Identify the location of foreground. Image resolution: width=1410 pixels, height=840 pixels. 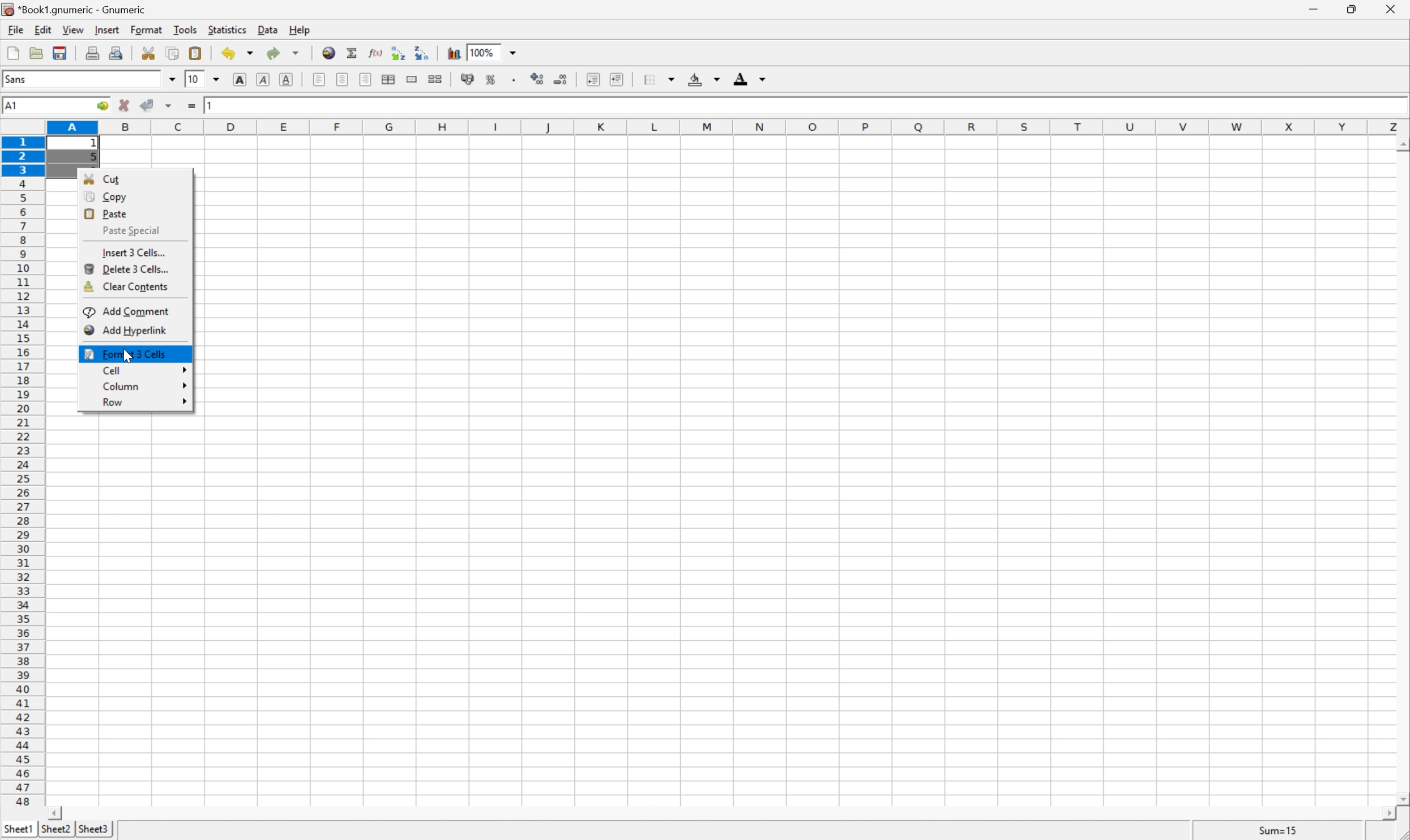
(748, 77).